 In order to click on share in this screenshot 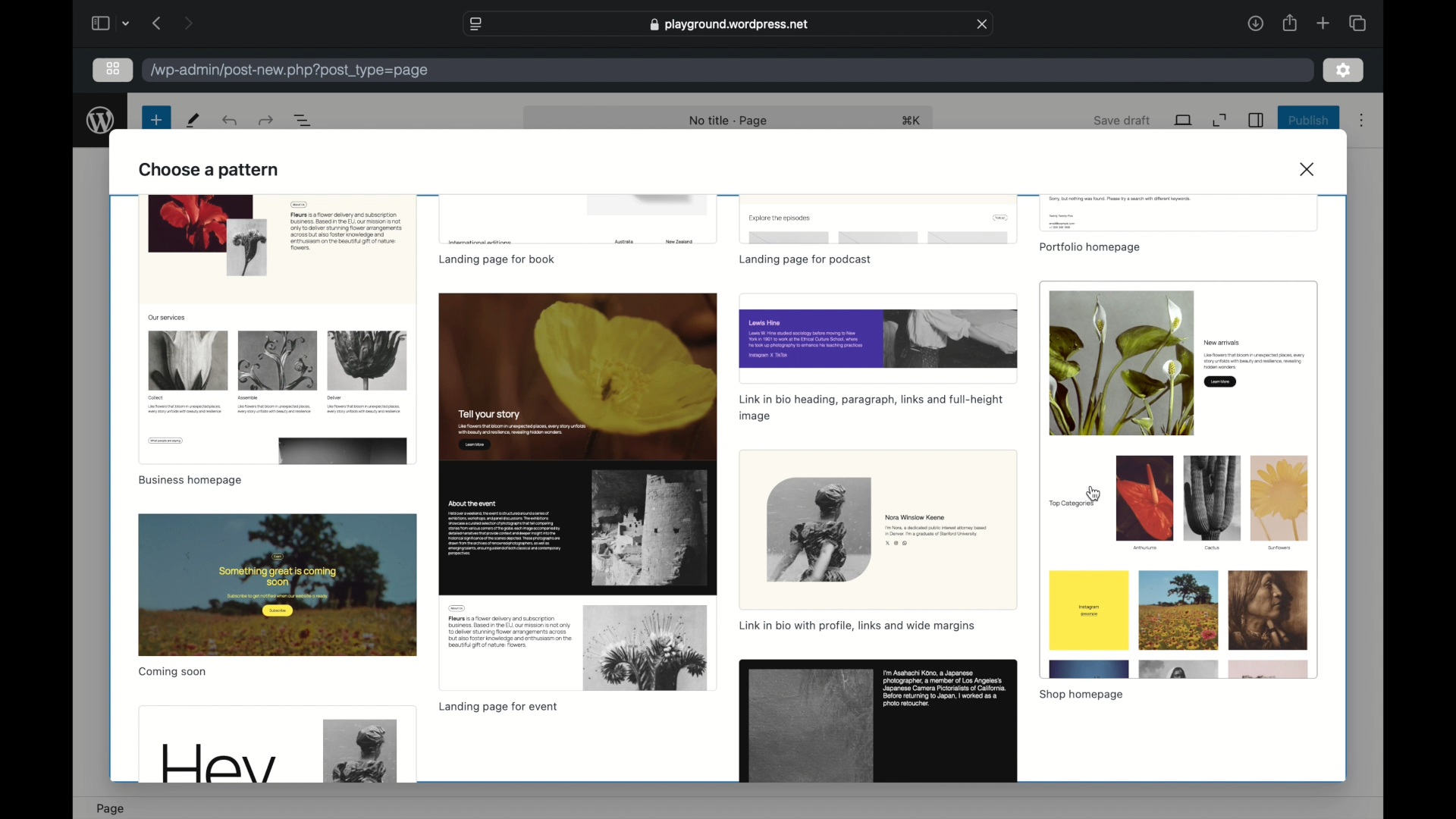, I will do `click(1291, 23)`.